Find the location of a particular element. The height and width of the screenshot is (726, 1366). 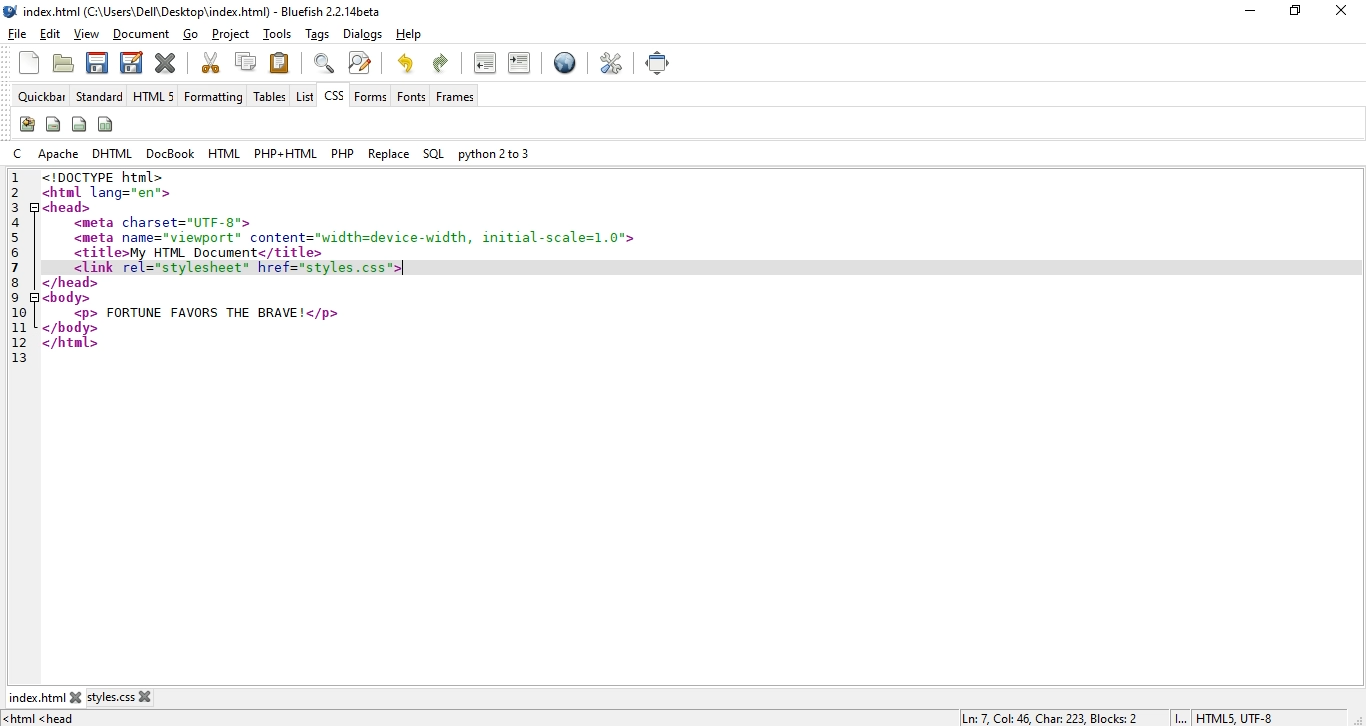

10 is located at coordinates (22, 312).